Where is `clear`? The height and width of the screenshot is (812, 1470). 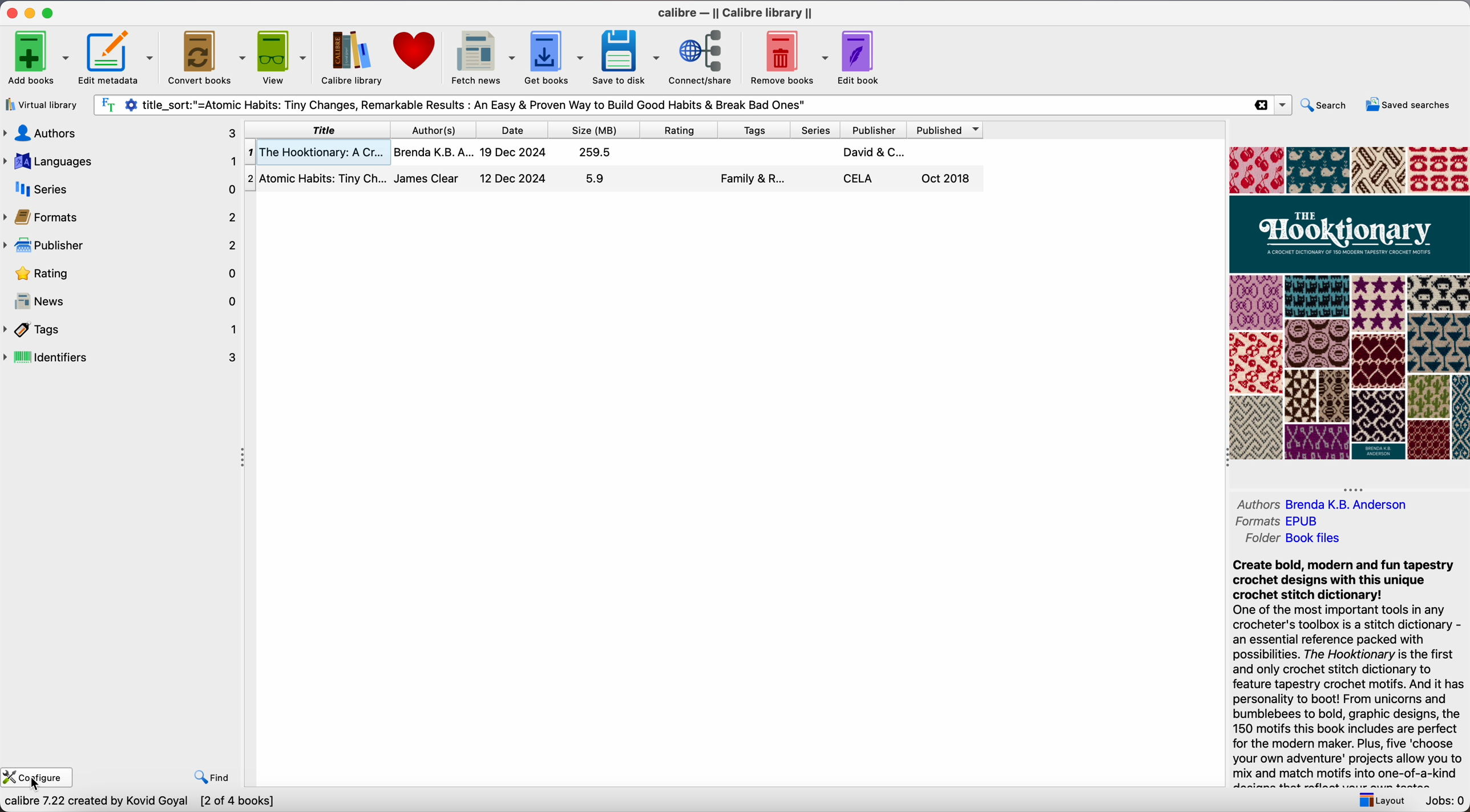 clear is located at coordinates (1261, 105).